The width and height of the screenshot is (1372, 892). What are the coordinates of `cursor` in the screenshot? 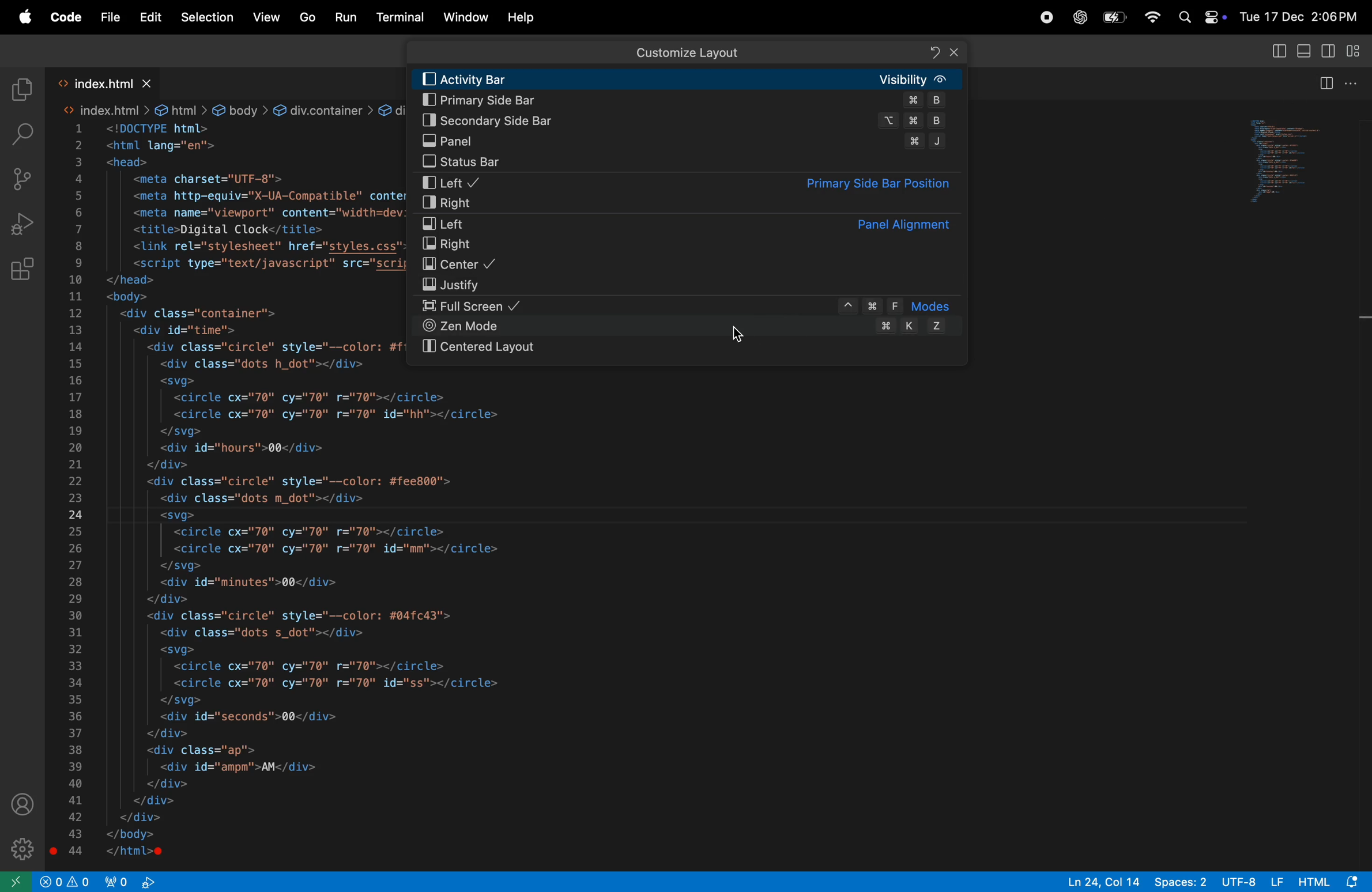 It's located at (740, 337).